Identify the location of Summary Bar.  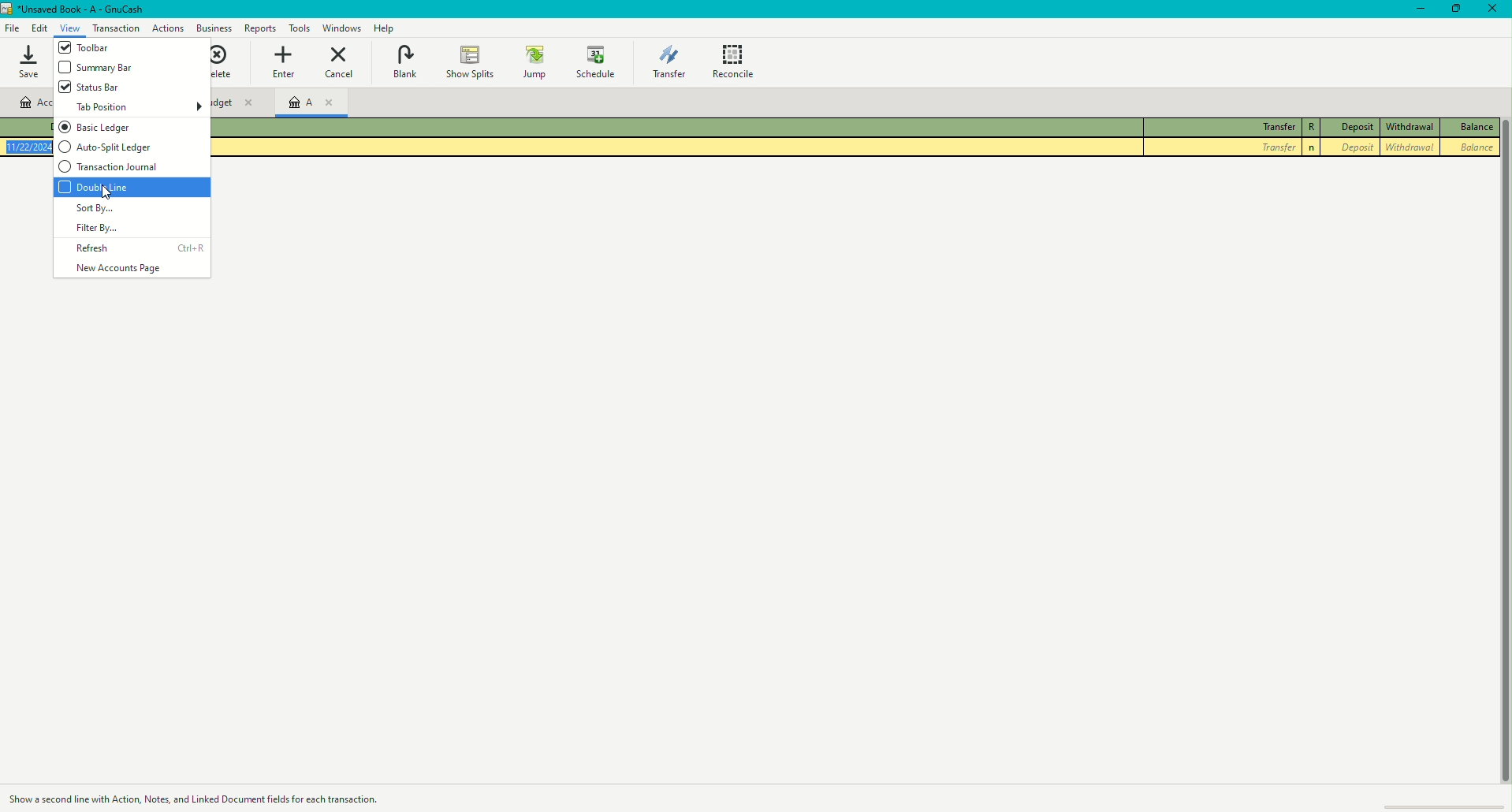
(132, 68).